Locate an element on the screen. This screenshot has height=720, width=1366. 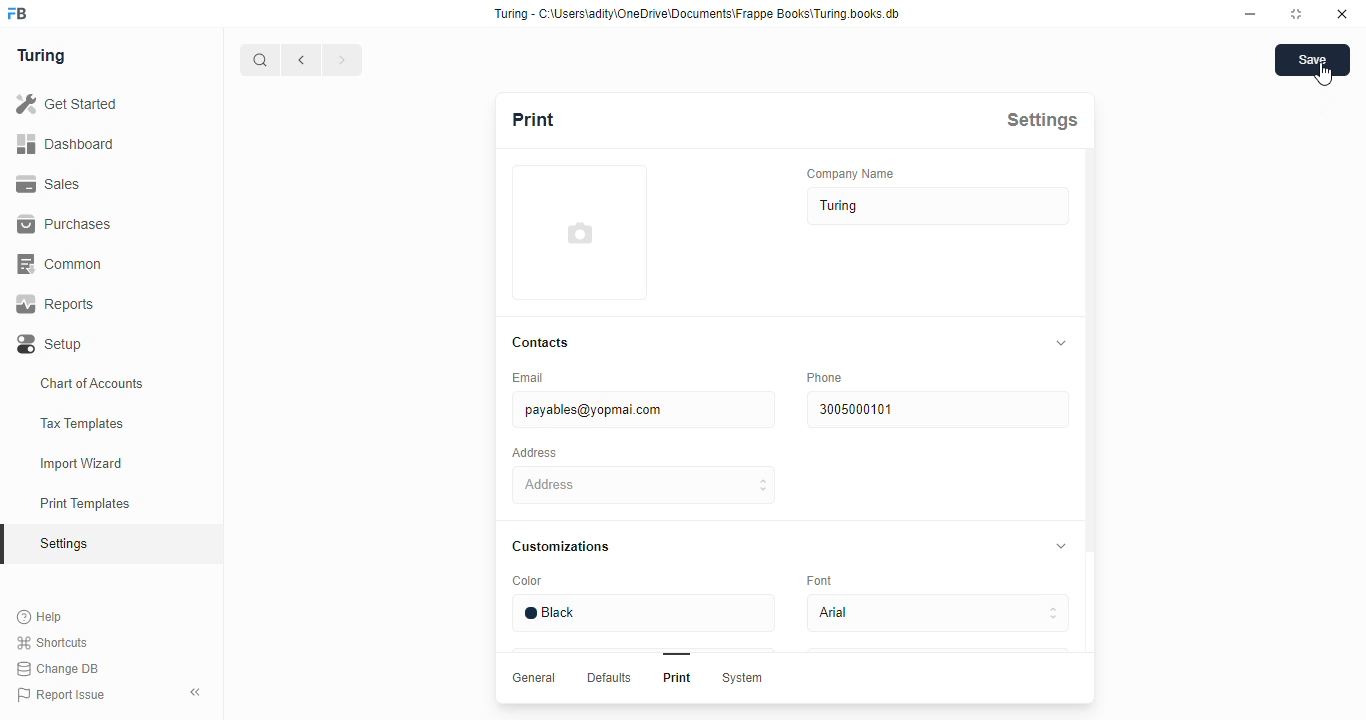
System is located at coordinates (746, 679).